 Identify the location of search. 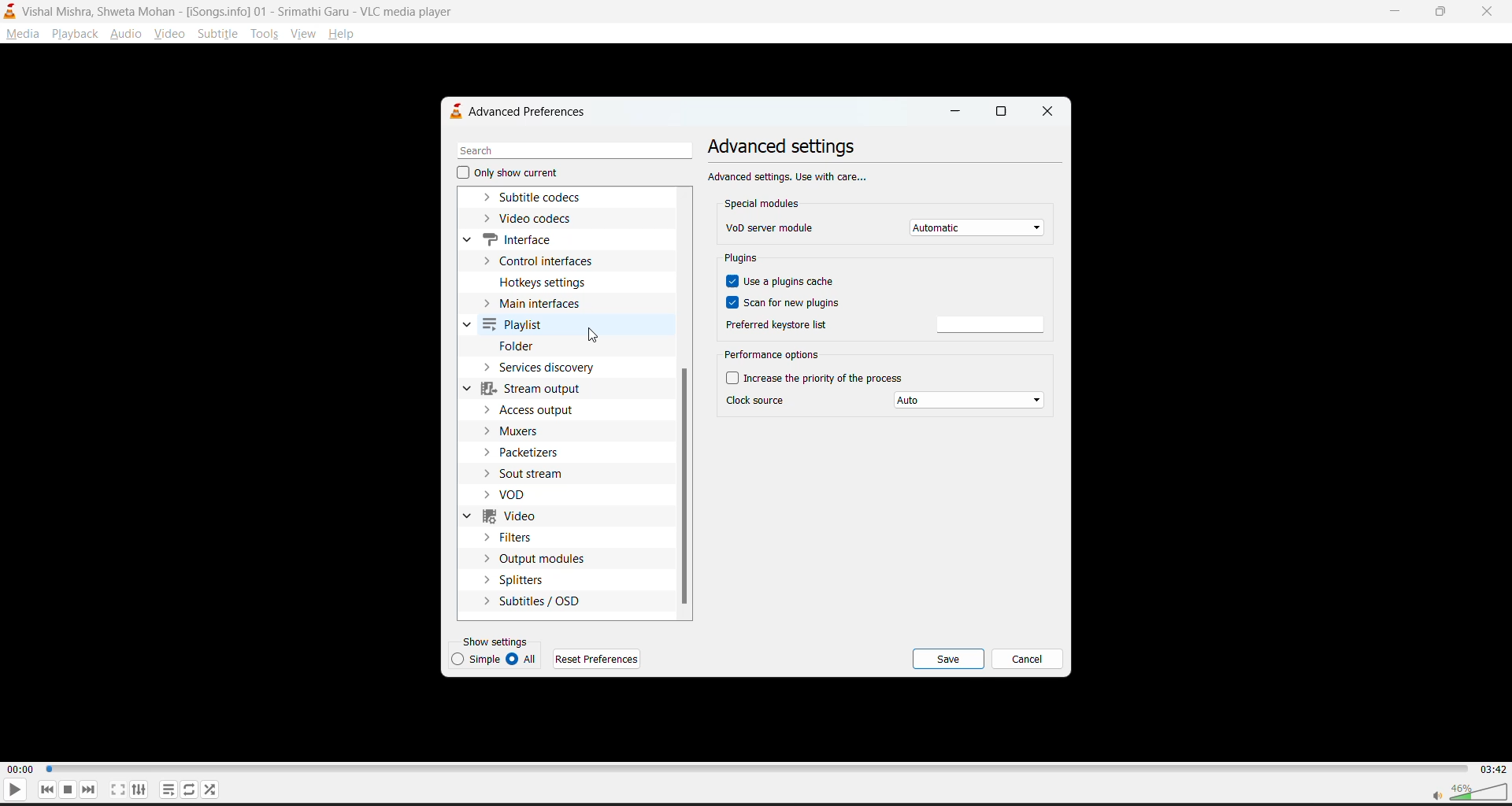
(573, 151).